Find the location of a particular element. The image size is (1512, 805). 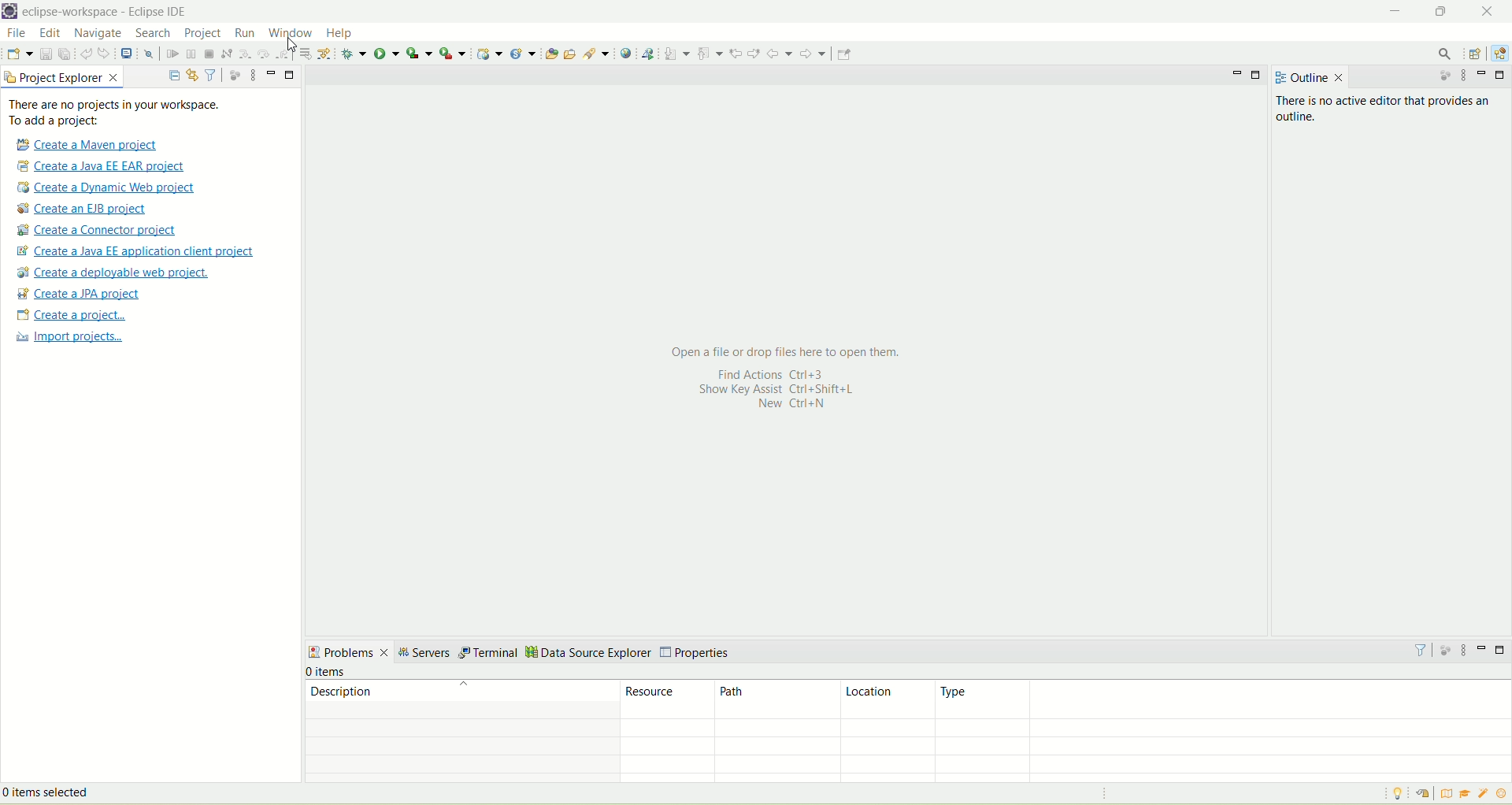

properties is located at coordinates (699, 649).